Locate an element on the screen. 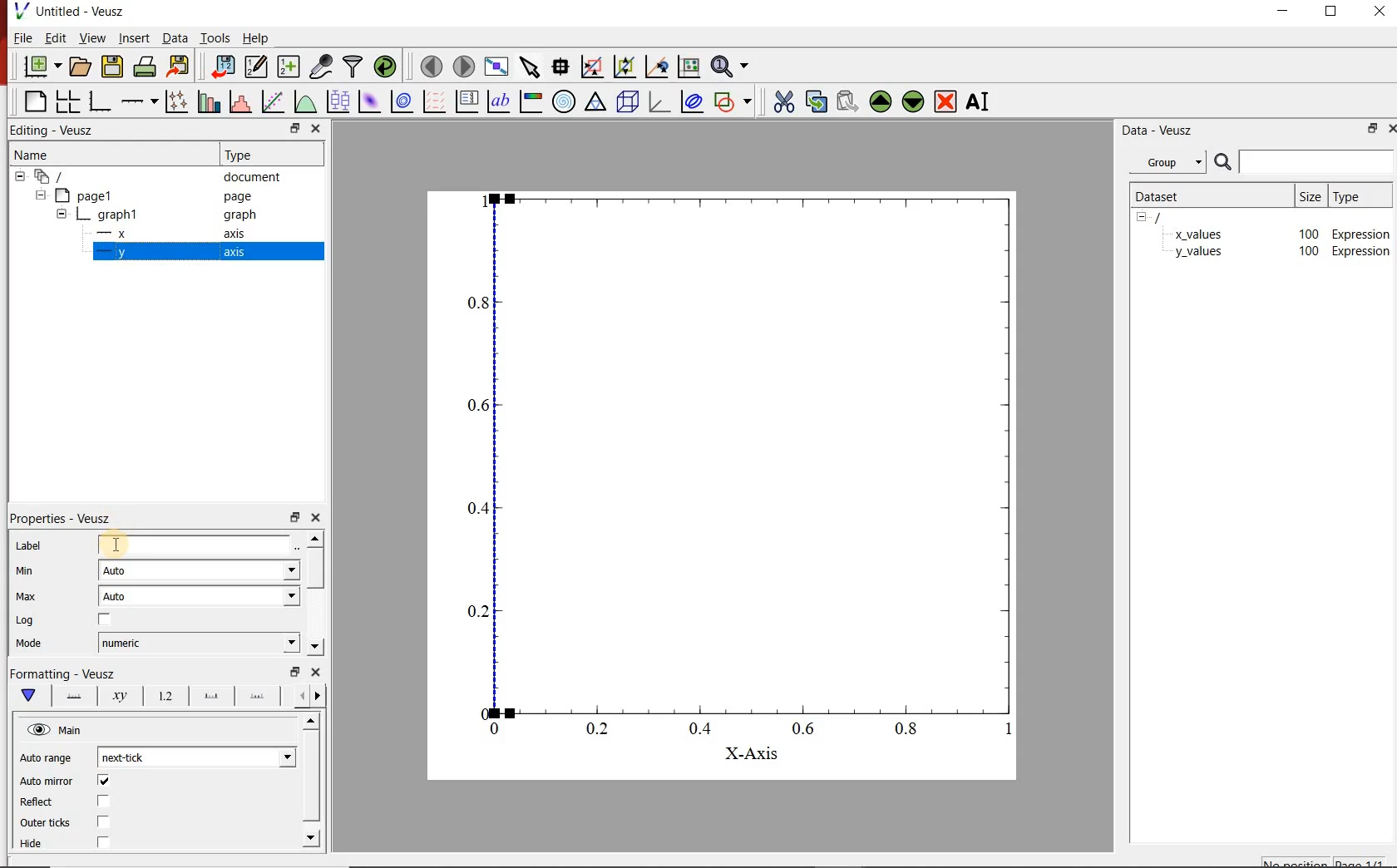  vertical scrollbar is located at coordinates (309, 777).